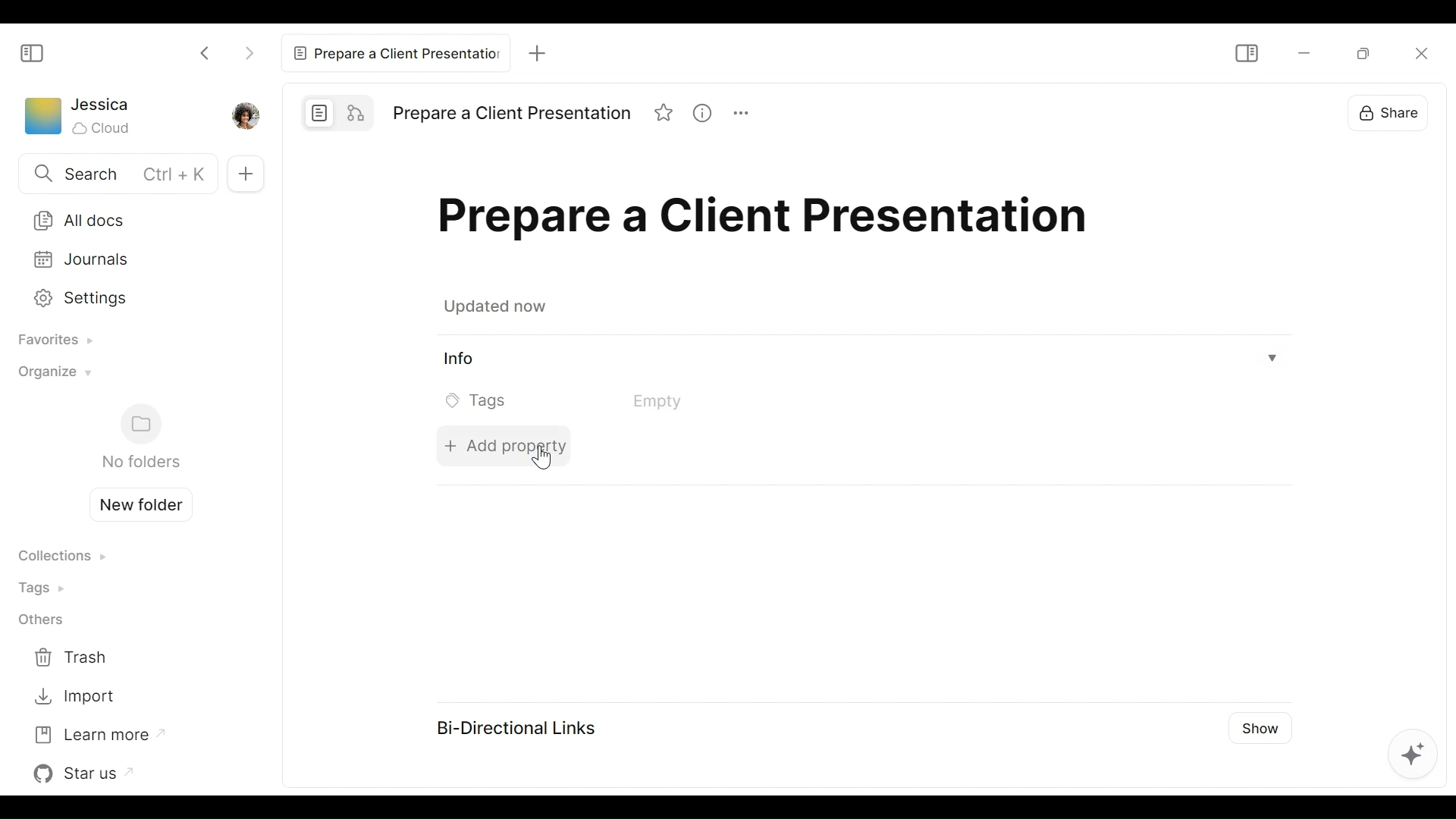  Describe the element at coordinates (499, 309) in the screenshot. I see `Updated now` at that location.